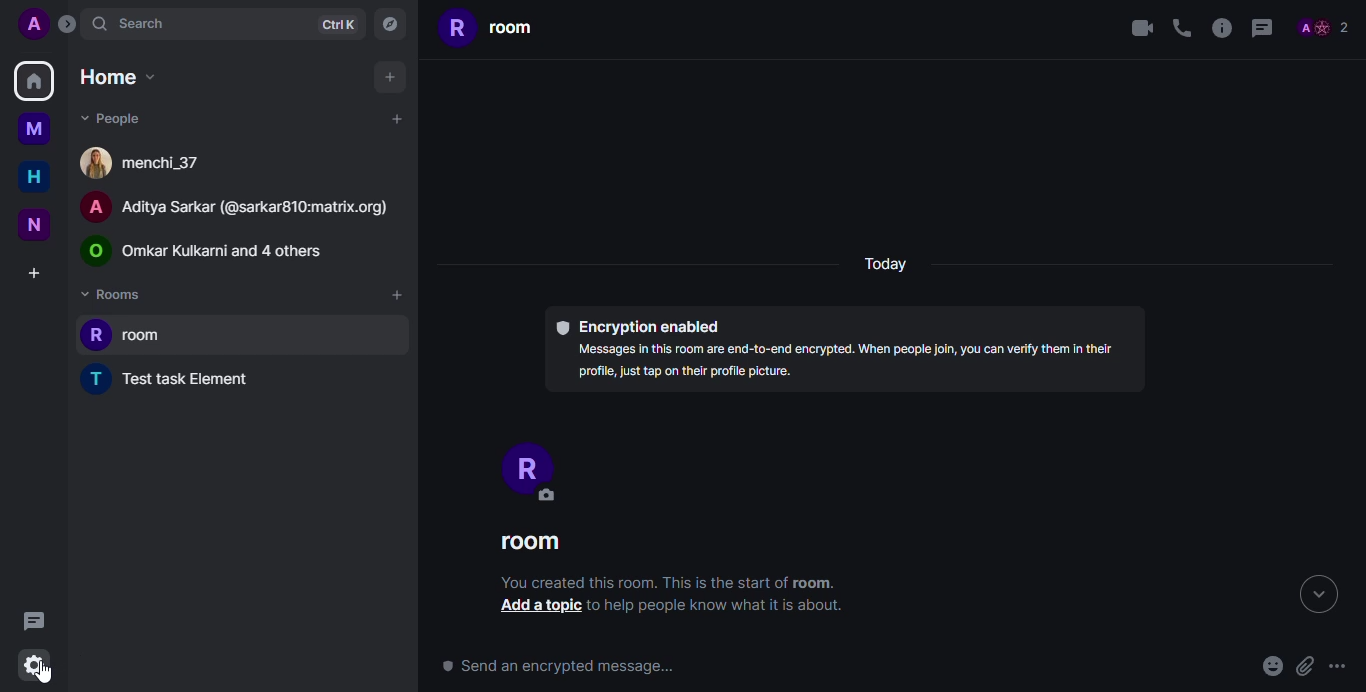 This screenshot has height=692, width=1366. What do you see at coordinates (37, 665) in the screenshot?
I see `quick settings` at bounding box center [37, 665].